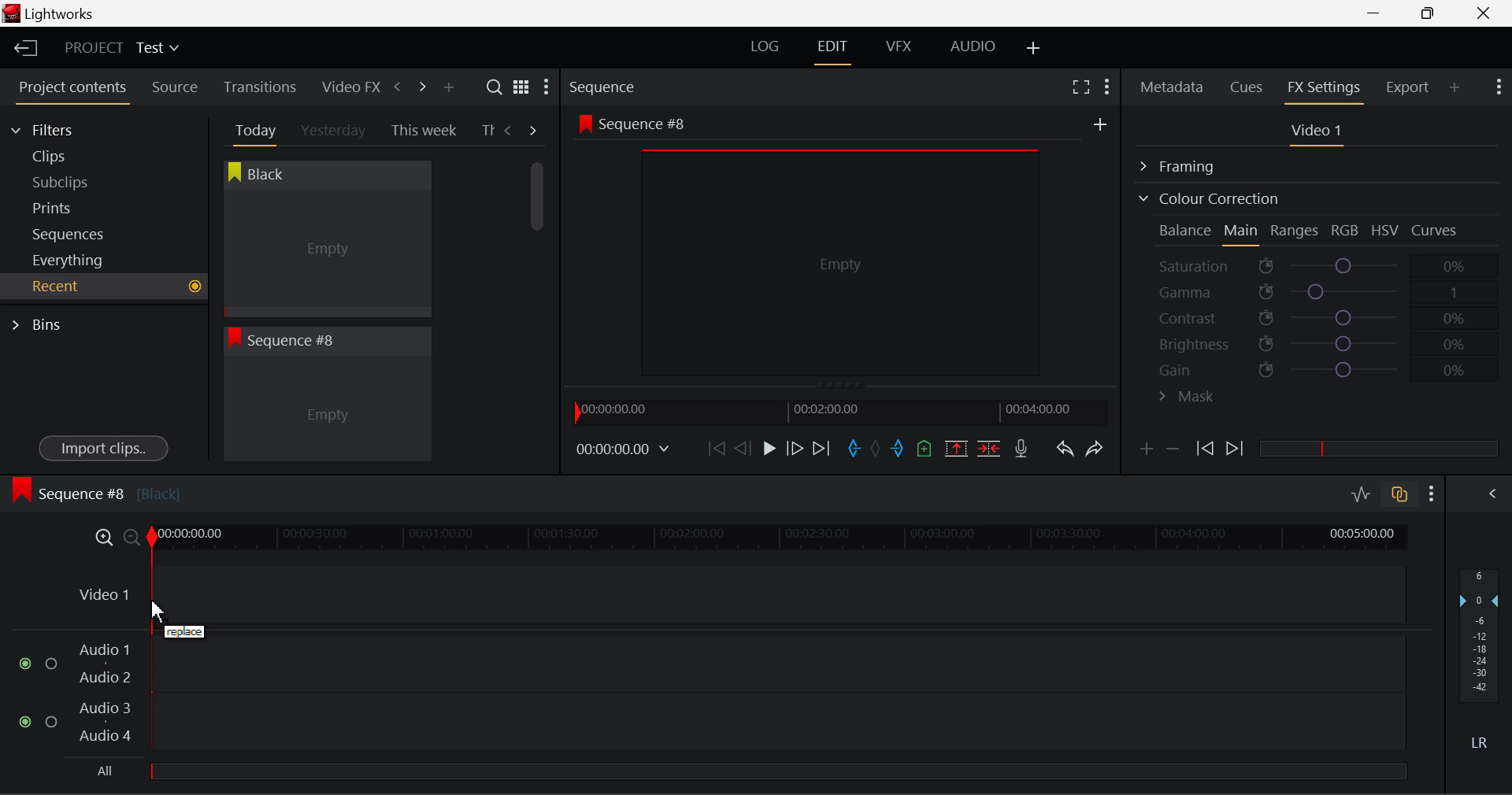  Describe the element at coordinates (764, 46) in the screenshot. I see `LOG Layout` at that location.